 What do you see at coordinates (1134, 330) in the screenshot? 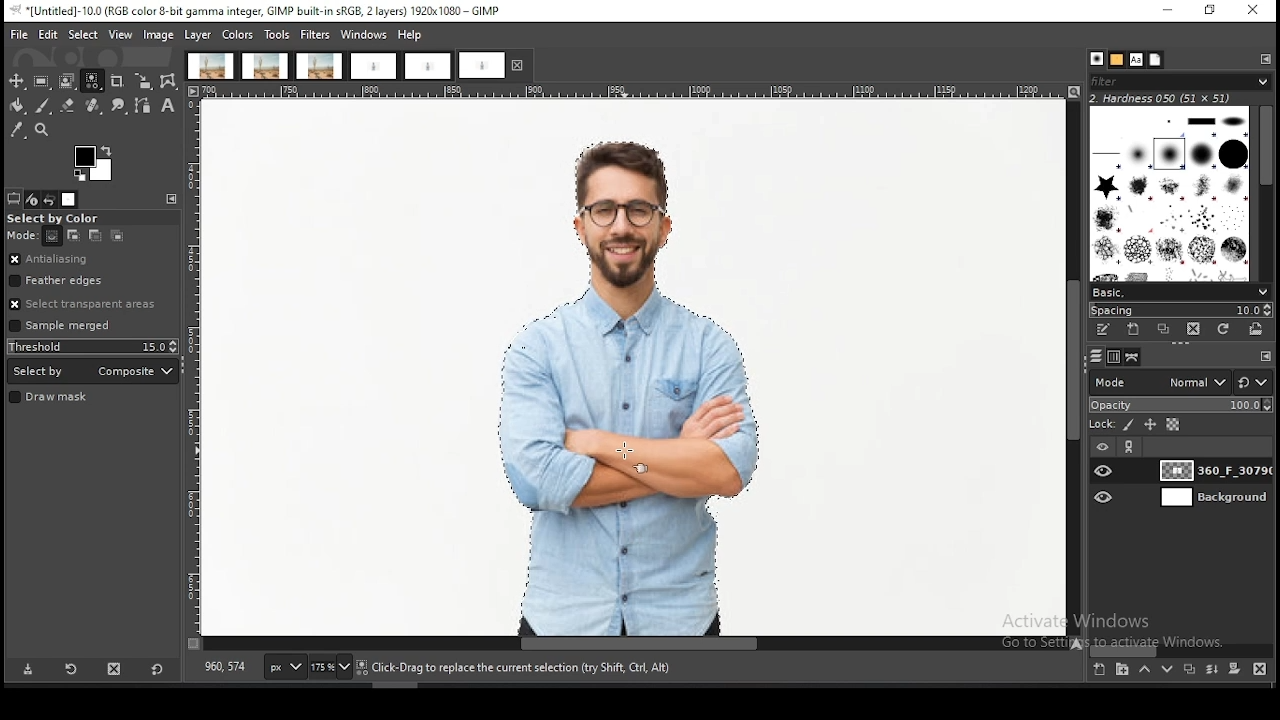
I see `create a new brush` at bounding box center [1134, 330].